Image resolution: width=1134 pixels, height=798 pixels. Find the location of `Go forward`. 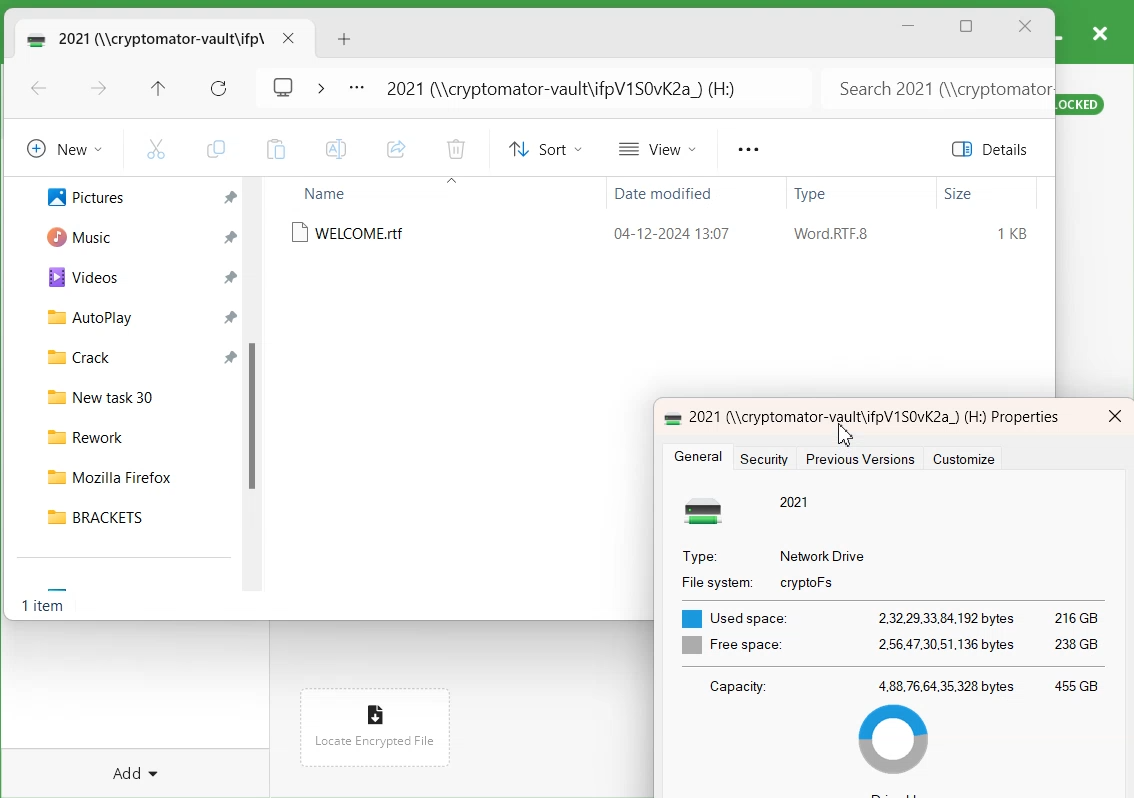

Go forward is located at coordinates (99, 90).